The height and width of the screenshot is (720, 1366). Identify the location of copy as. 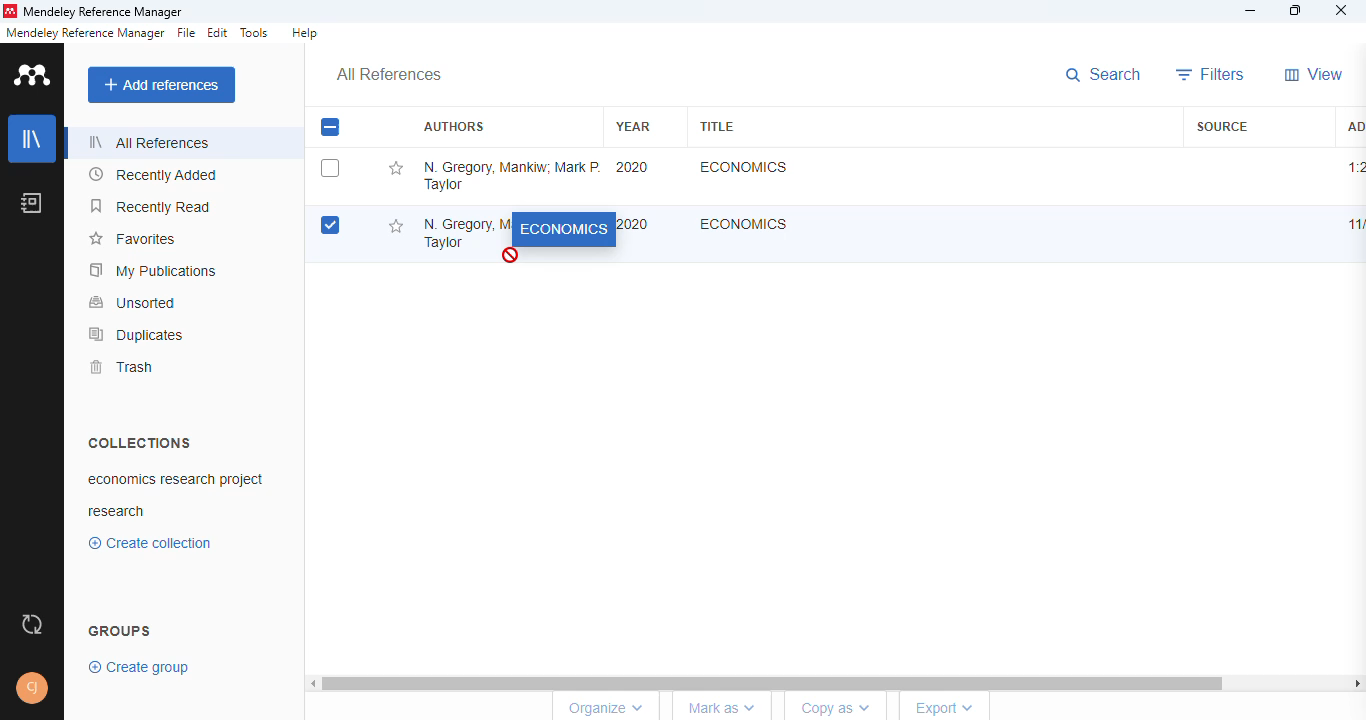
(836, 709).